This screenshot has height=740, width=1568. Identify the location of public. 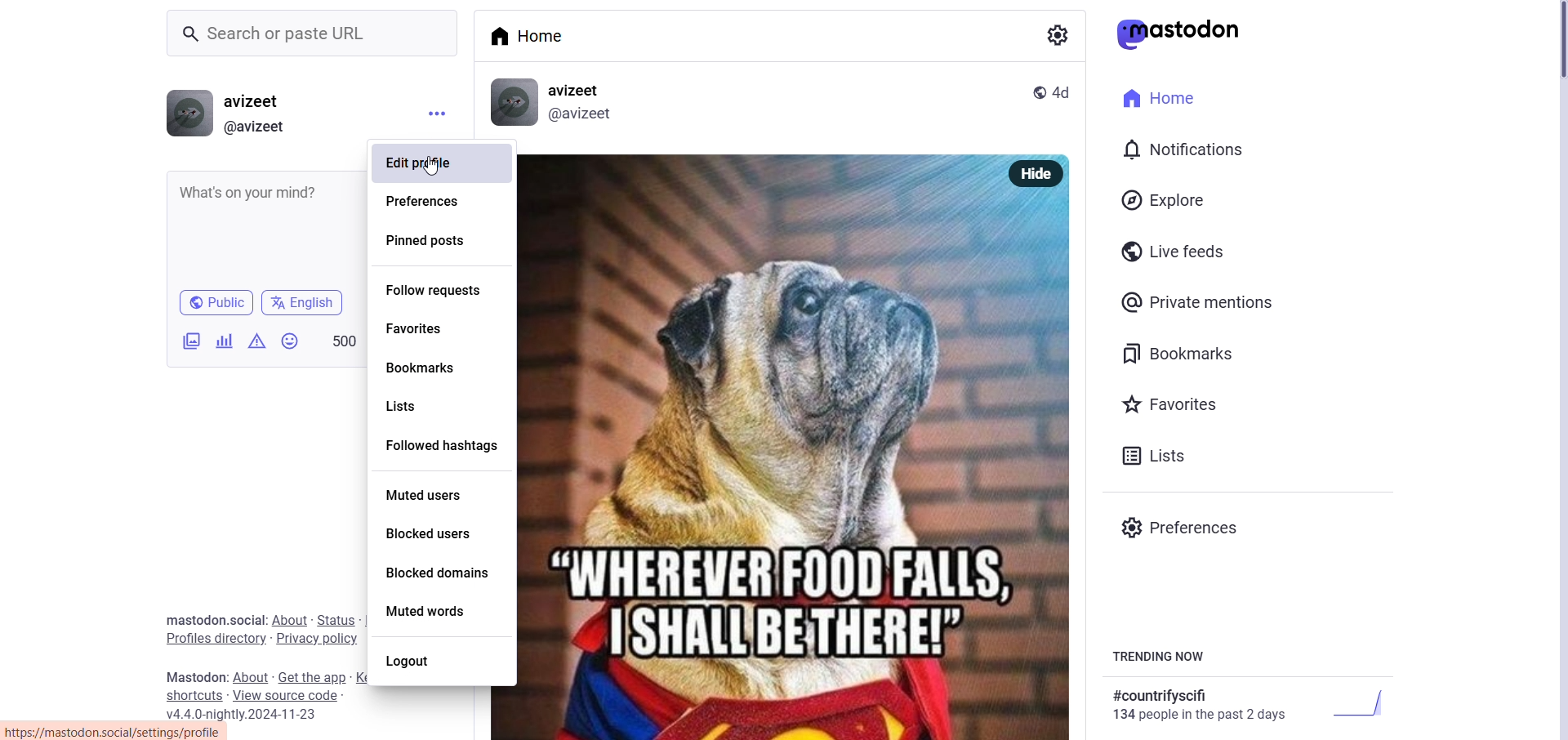
(215, 303).